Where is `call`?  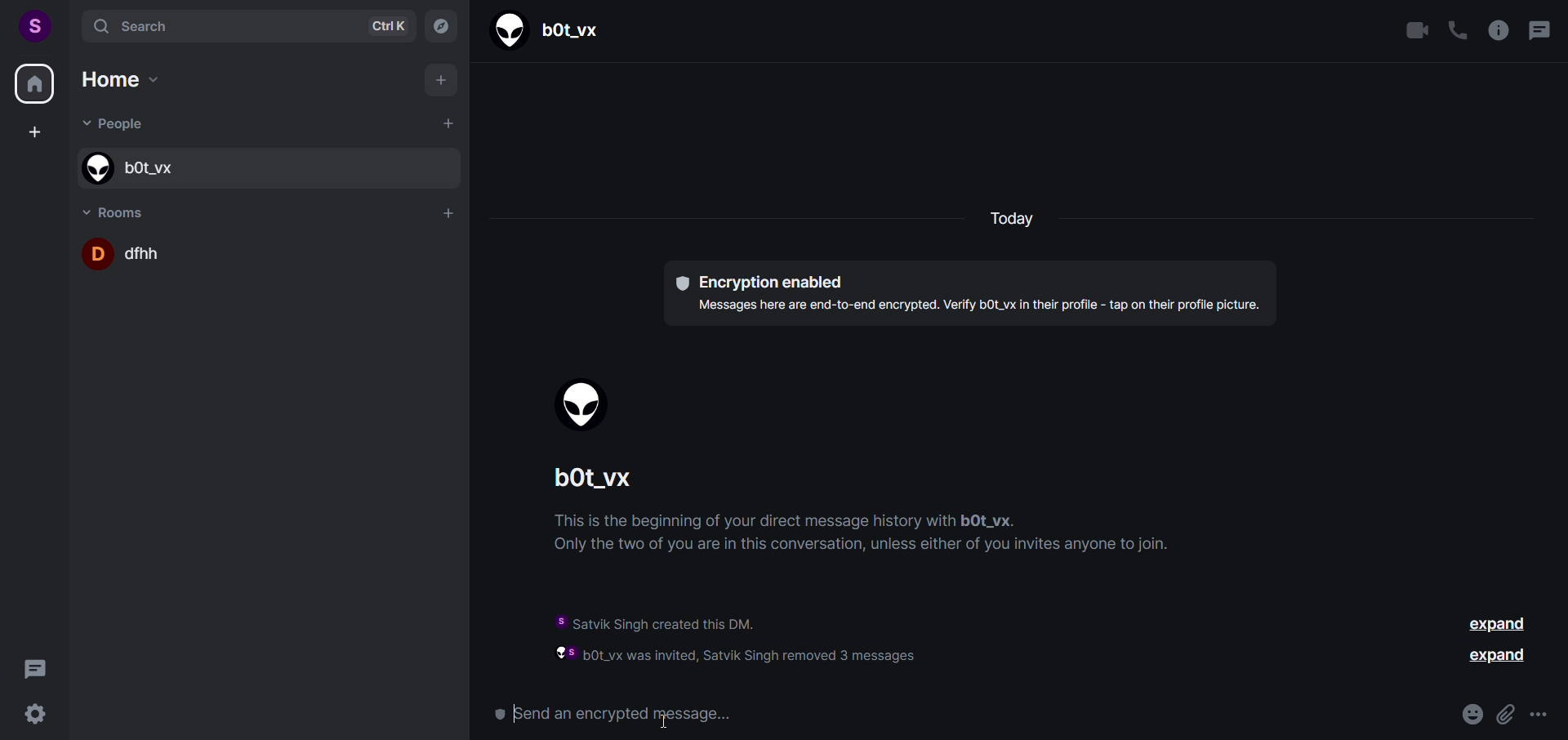
call is located at coordinates (1456, 32).